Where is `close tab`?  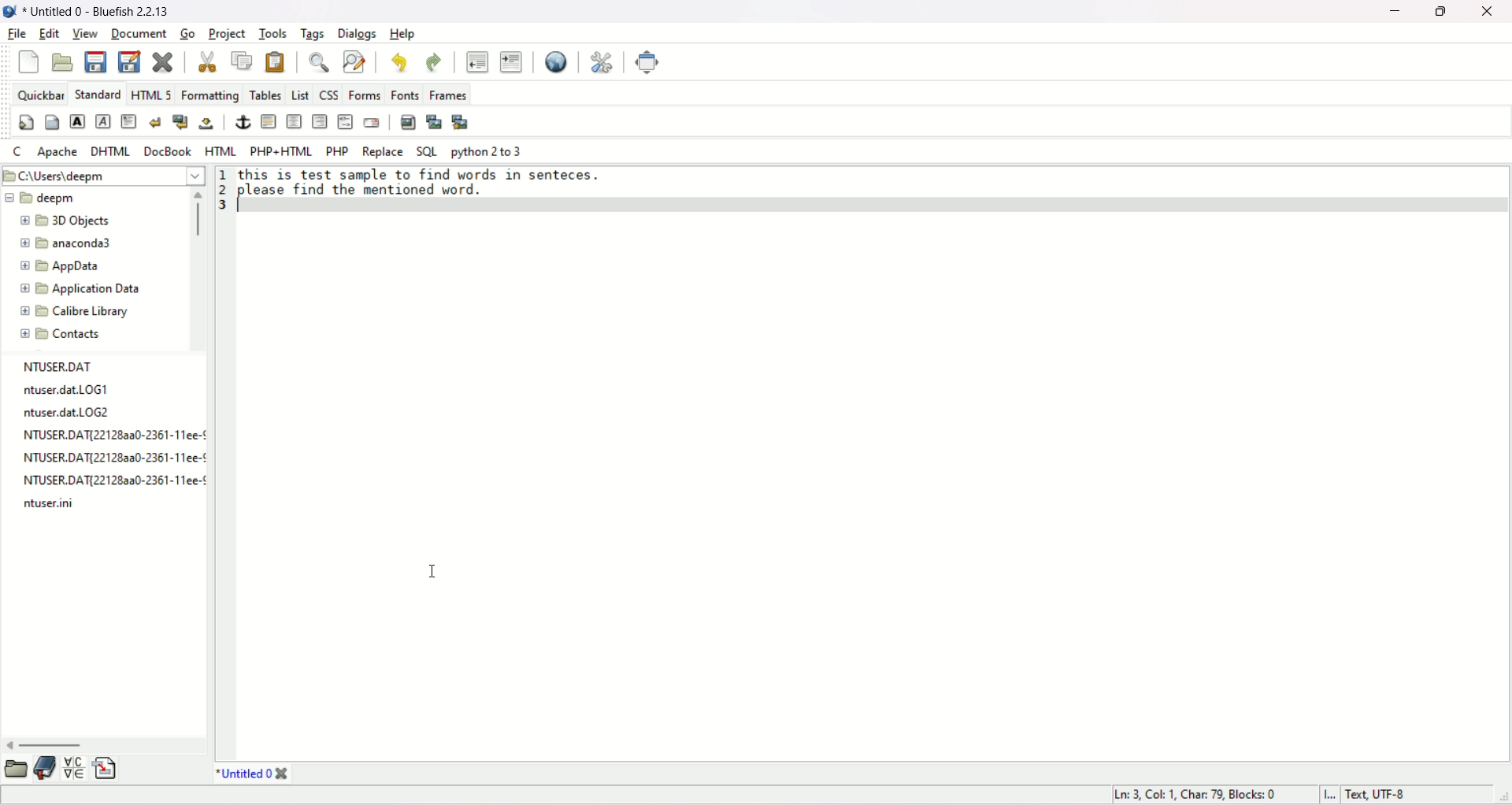
close tab is located at coordinates (283, 774).